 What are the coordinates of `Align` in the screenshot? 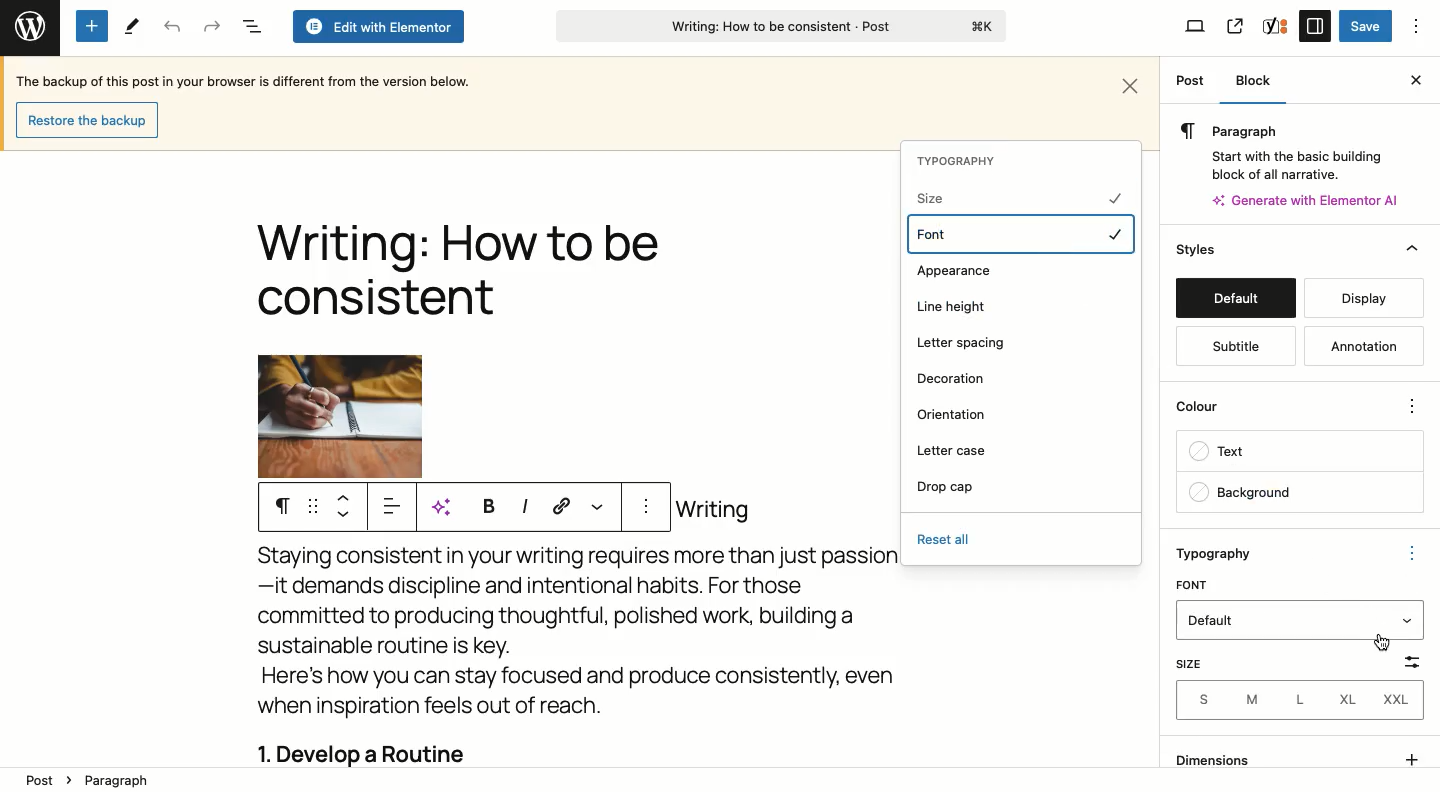 It's located at (395, 510).